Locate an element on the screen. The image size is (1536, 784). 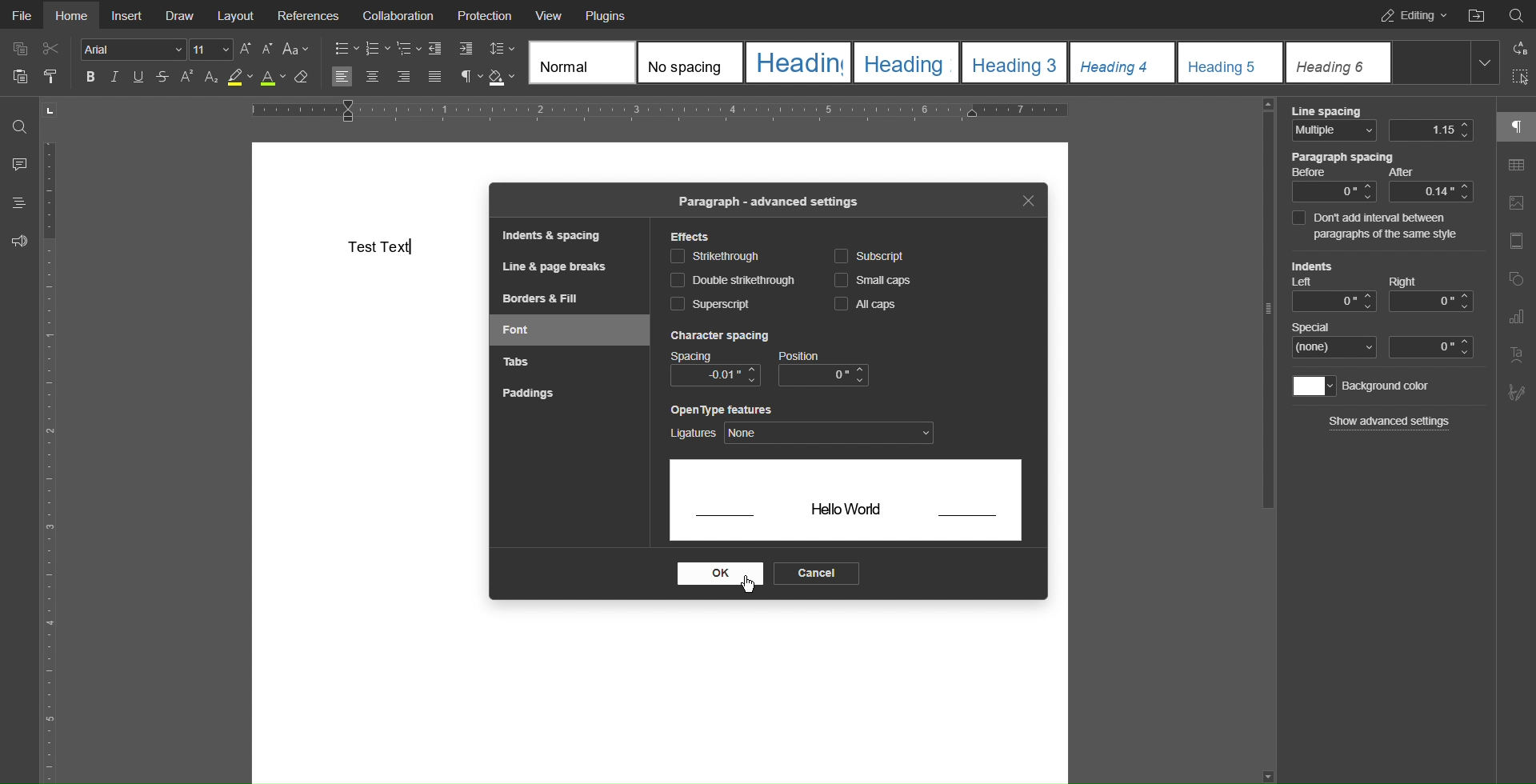
Protection is located at coordinates (486, 14).